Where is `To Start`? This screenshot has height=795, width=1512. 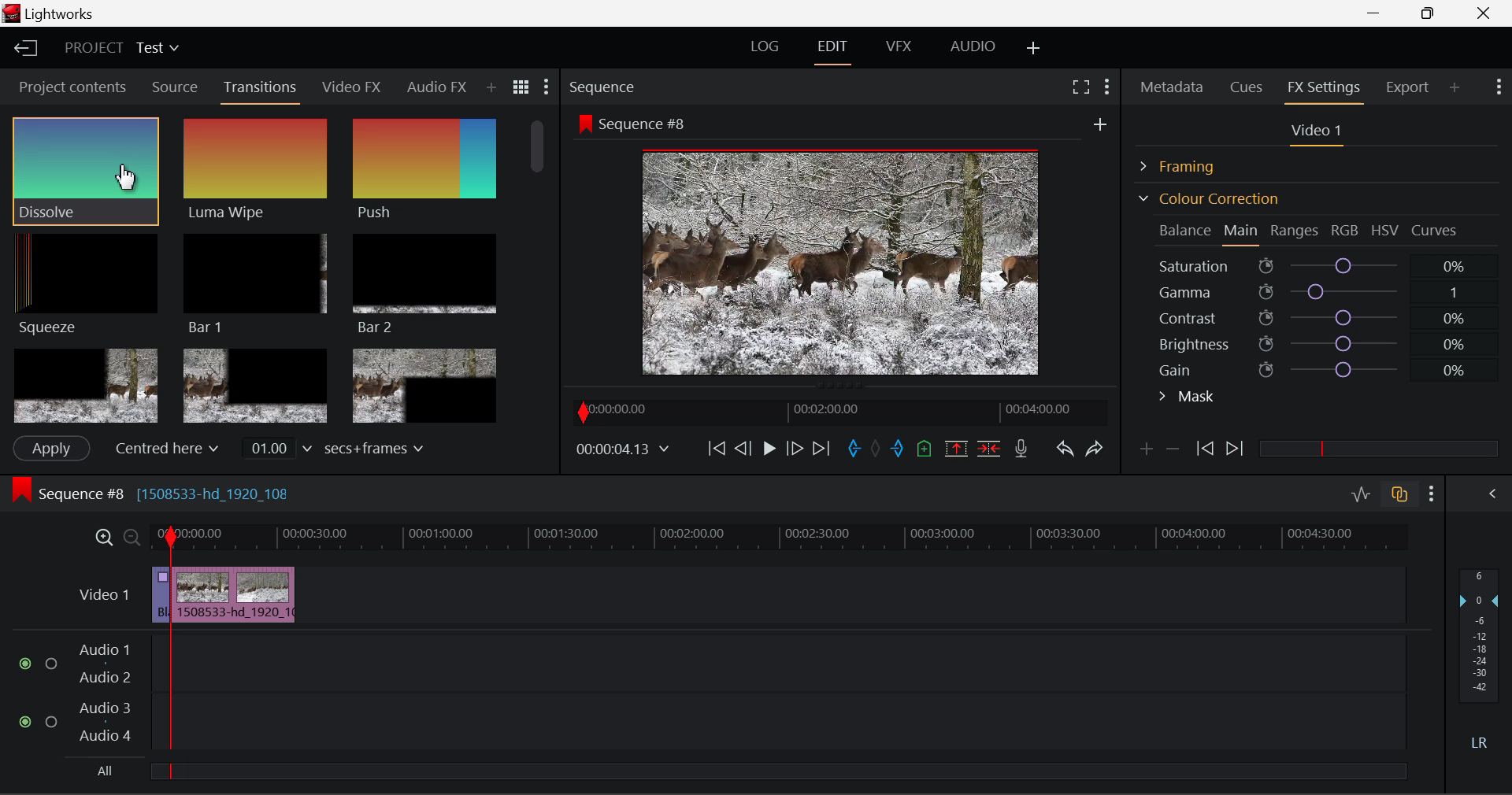 To Start is located at coordinates (715, 448).